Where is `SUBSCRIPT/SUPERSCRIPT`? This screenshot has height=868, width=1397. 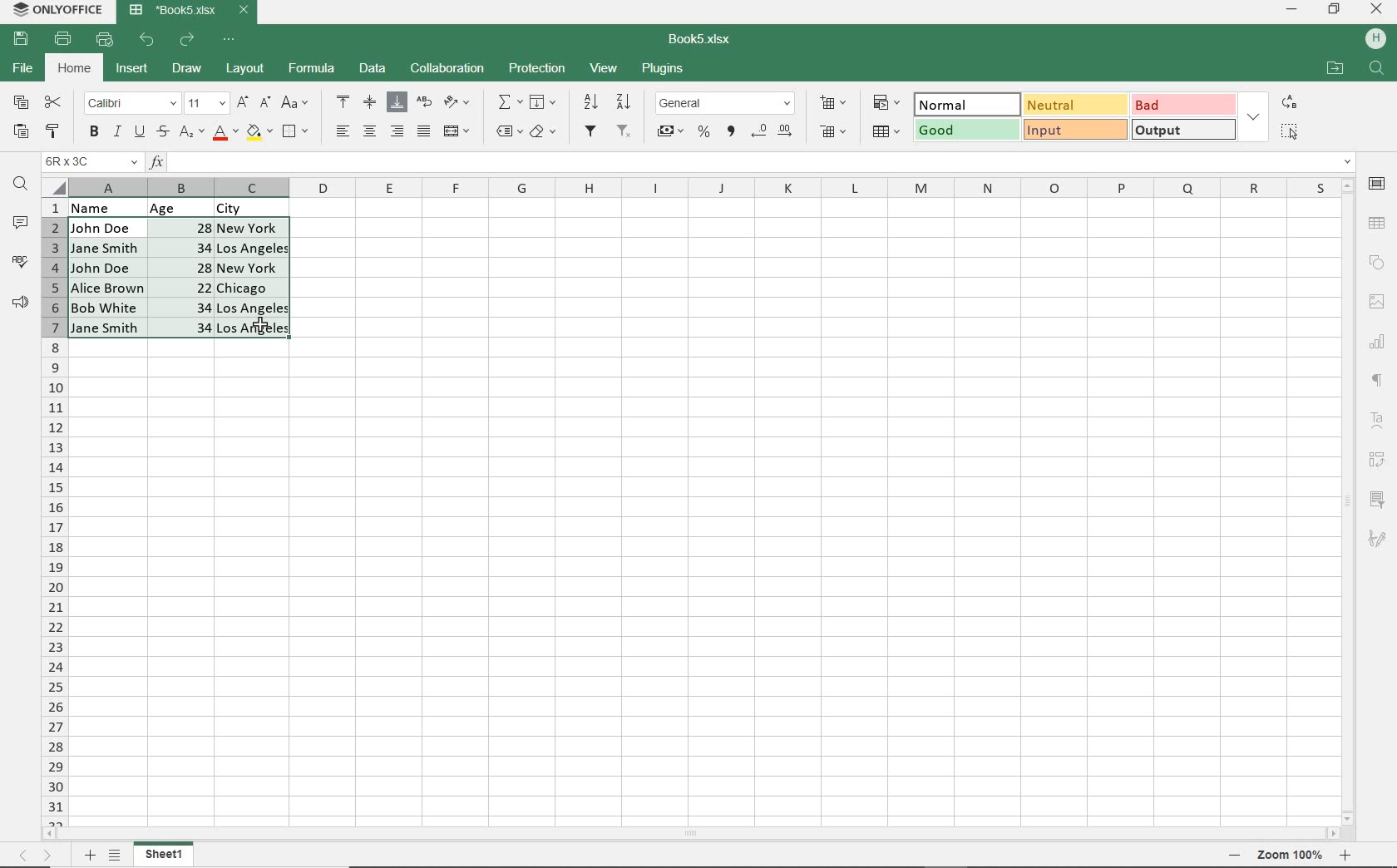 SUBSCRIPT/SUPERSCRIPT is located at coordinates (190, 131).